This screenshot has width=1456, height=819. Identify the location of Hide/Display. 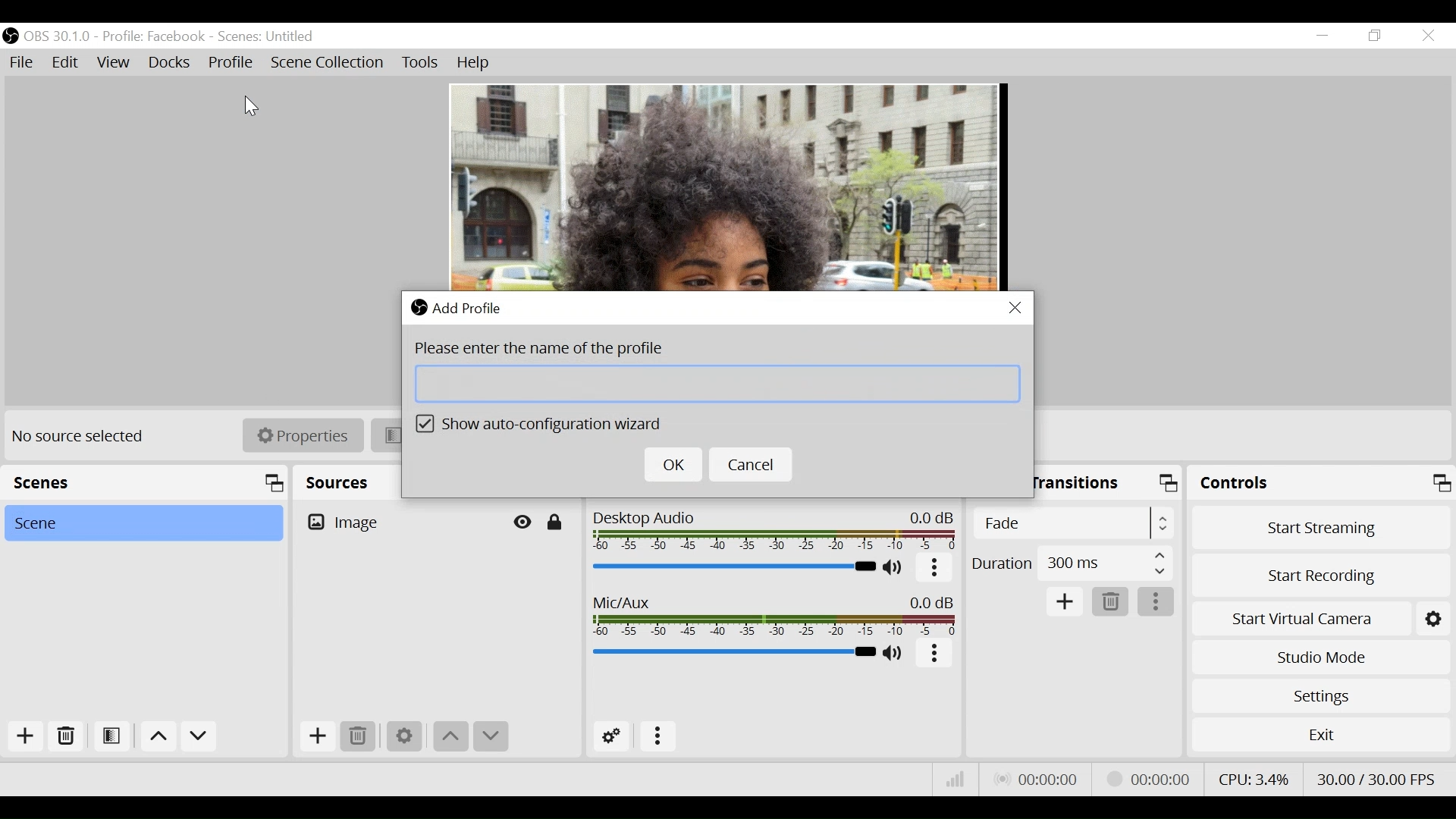
(524, 522).